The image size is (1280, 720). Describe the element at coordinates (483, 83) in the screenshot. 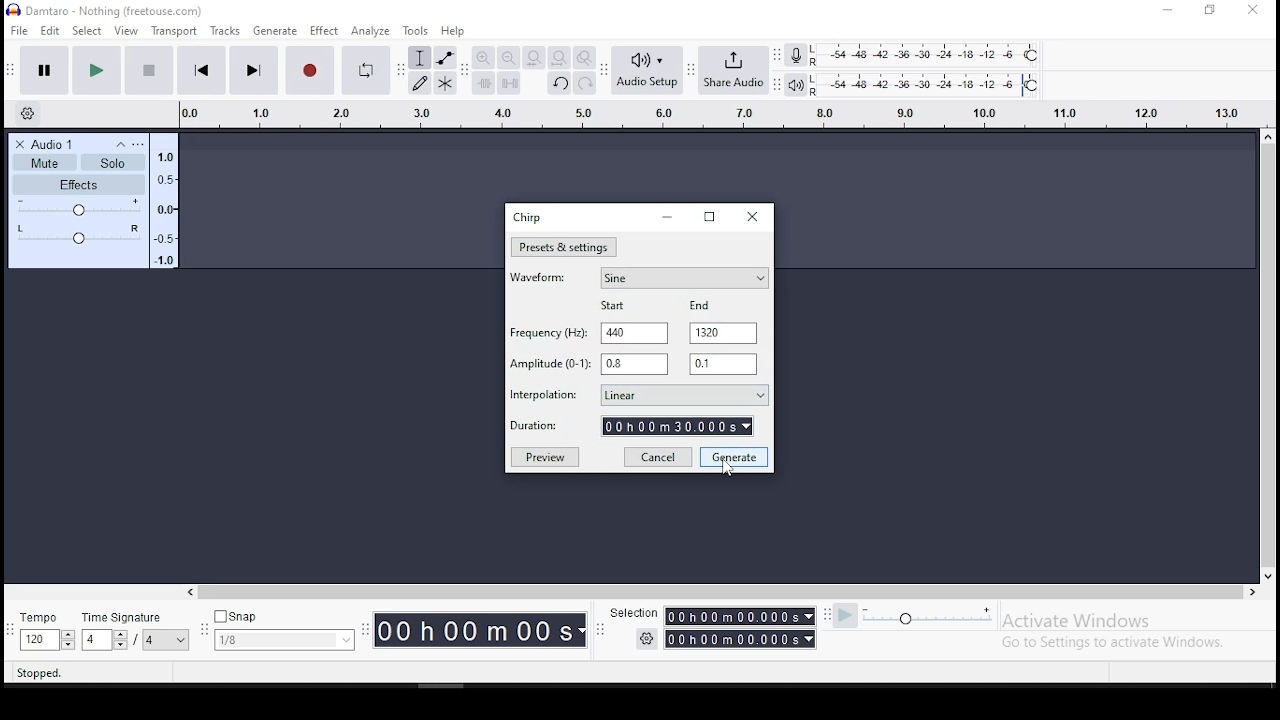

I see `trim audio outside selection` at that location.